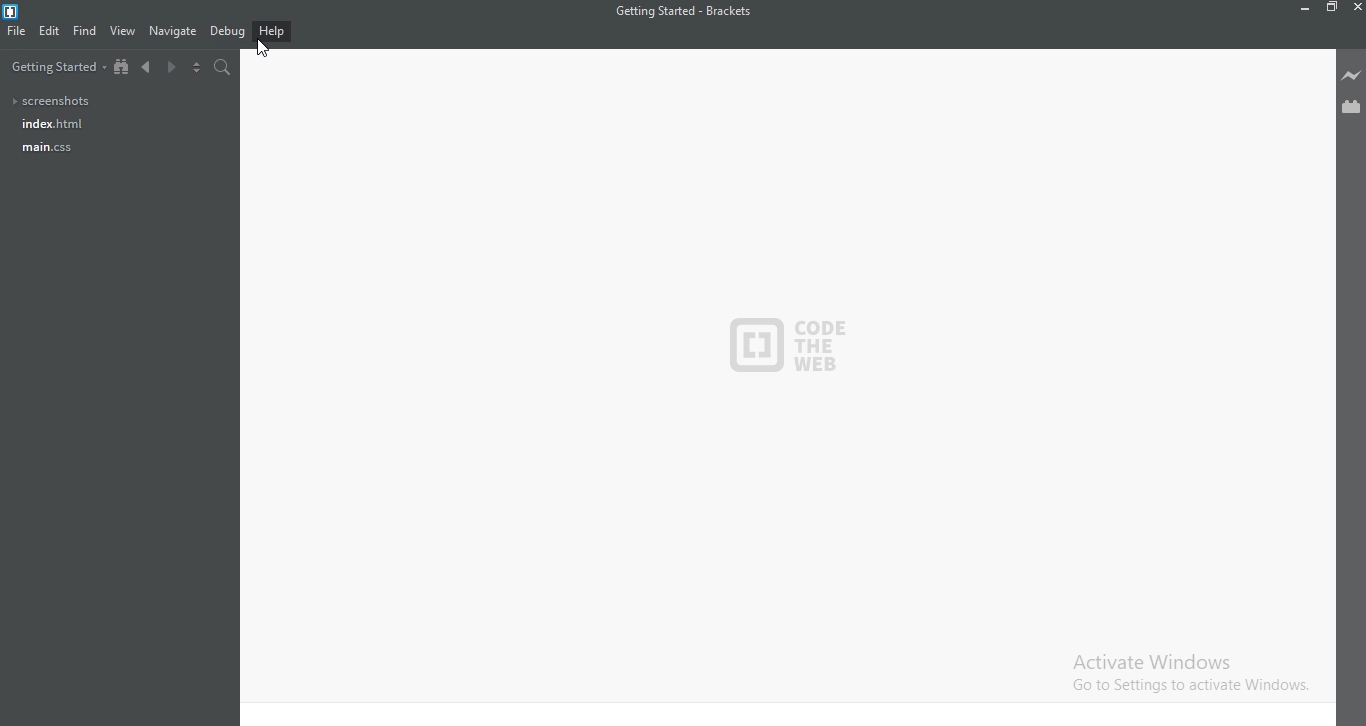 This screenshot has width=1366, height=726. Describe the element at coordinates (15, 32) in the screenshot. I see `File` at that location.